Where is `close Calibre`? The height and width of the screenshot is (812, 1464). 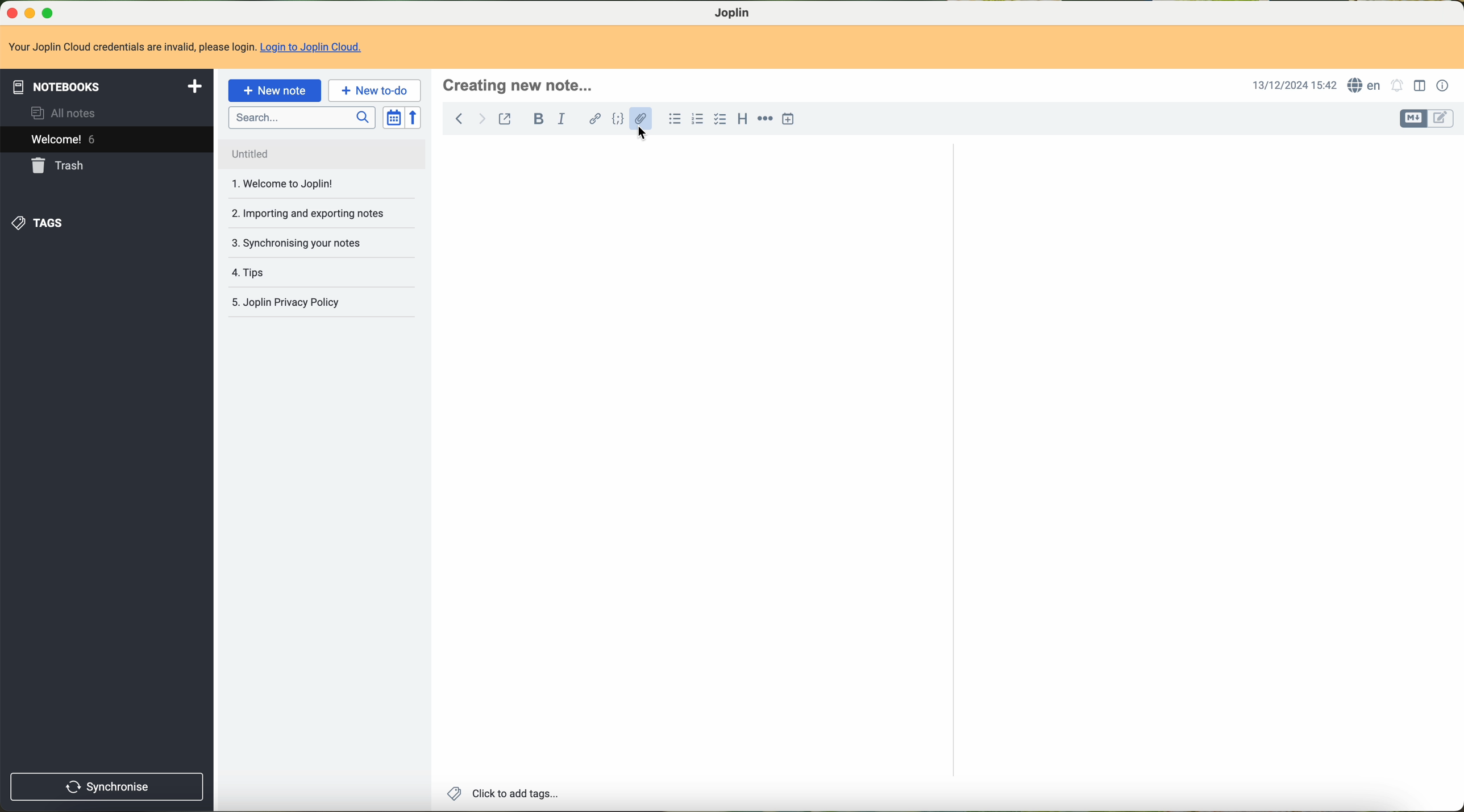
close Calibre is located at coordinates (11, 12).